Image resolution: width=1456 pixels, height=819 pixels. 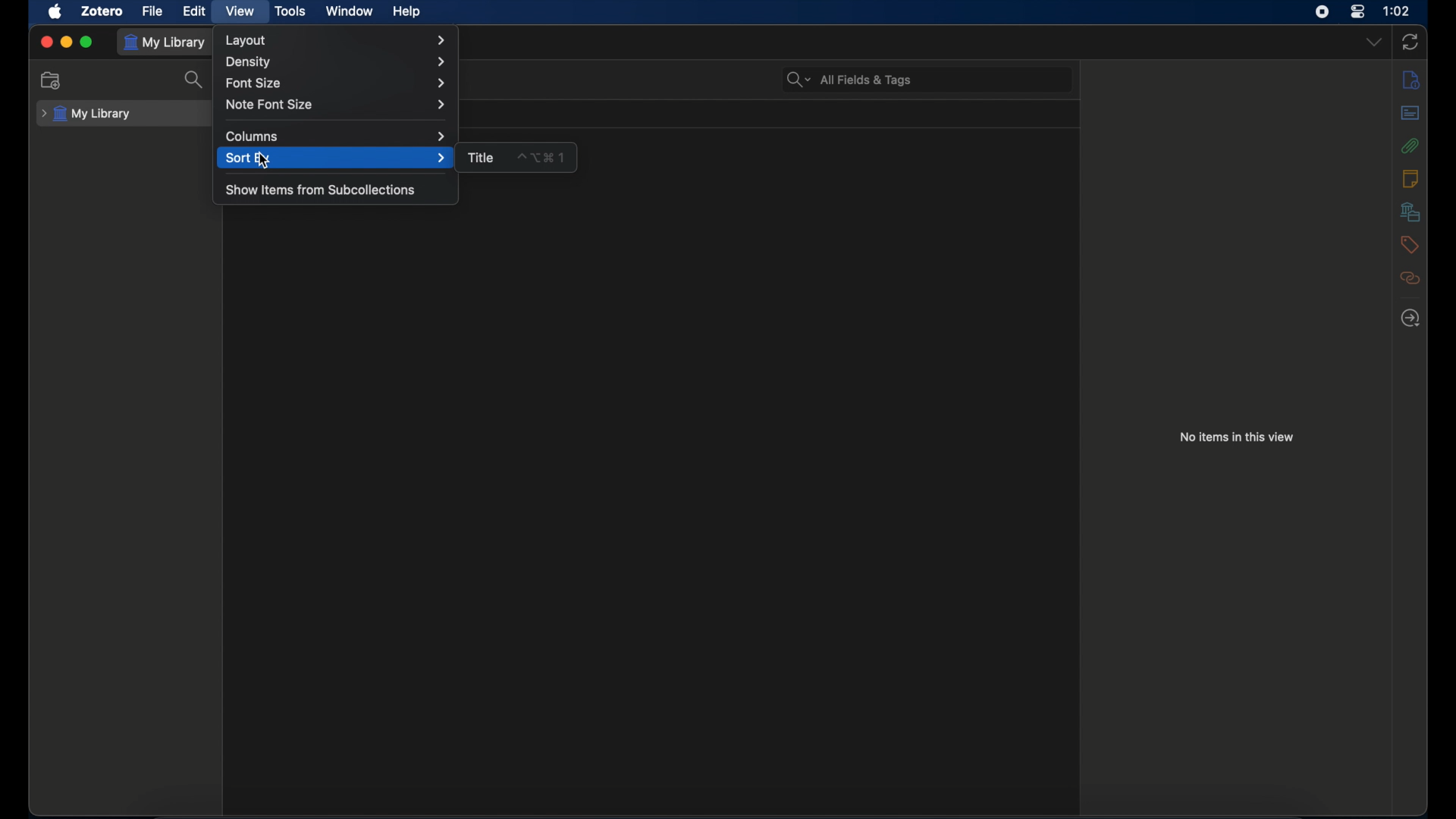 What do you see at coordinates (1411, 112) in the screenshot?
I see `abstract` at bounding box center [1411, 112].